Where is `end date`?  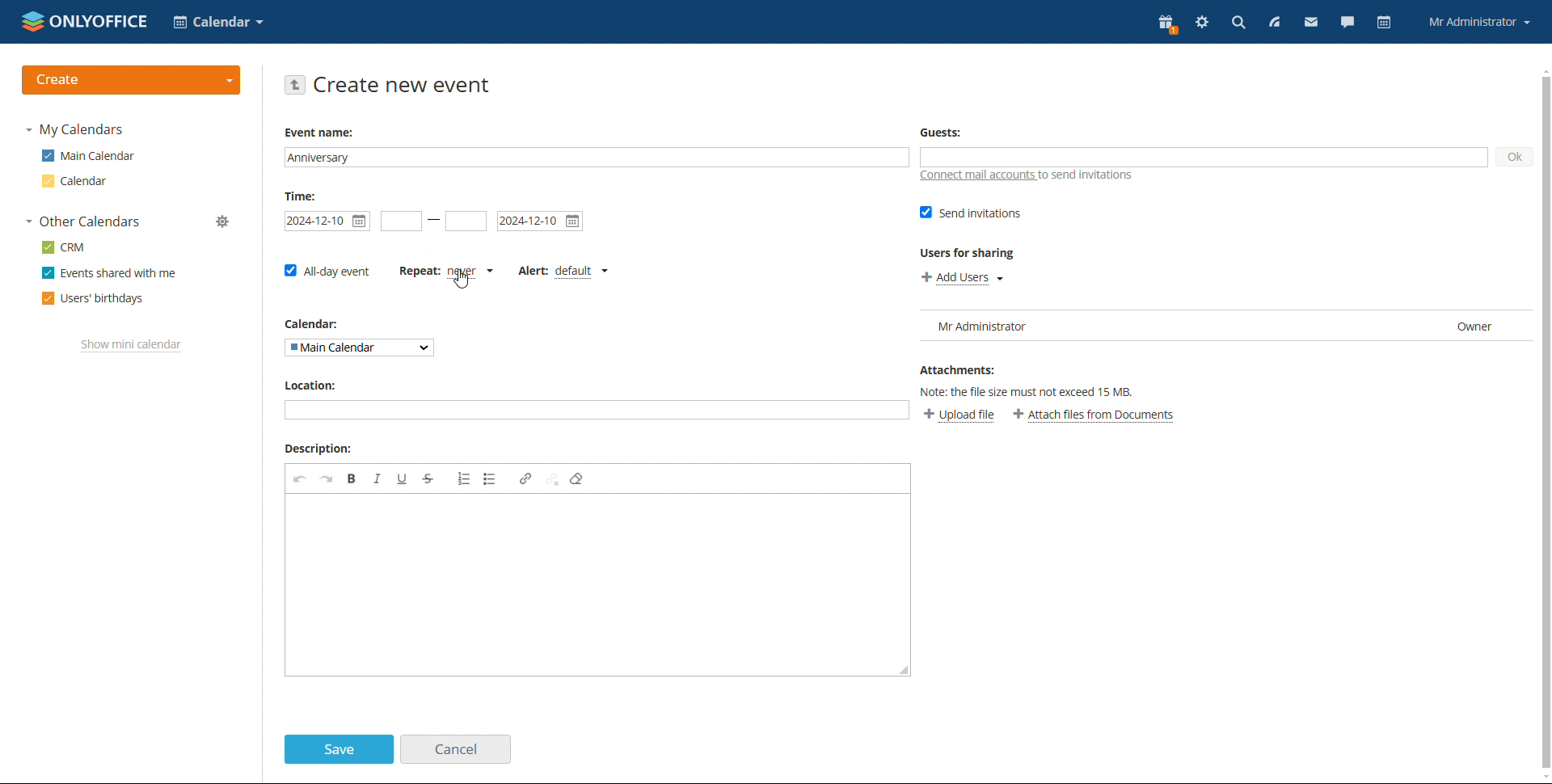
end date is located at coordinates (541, 221).